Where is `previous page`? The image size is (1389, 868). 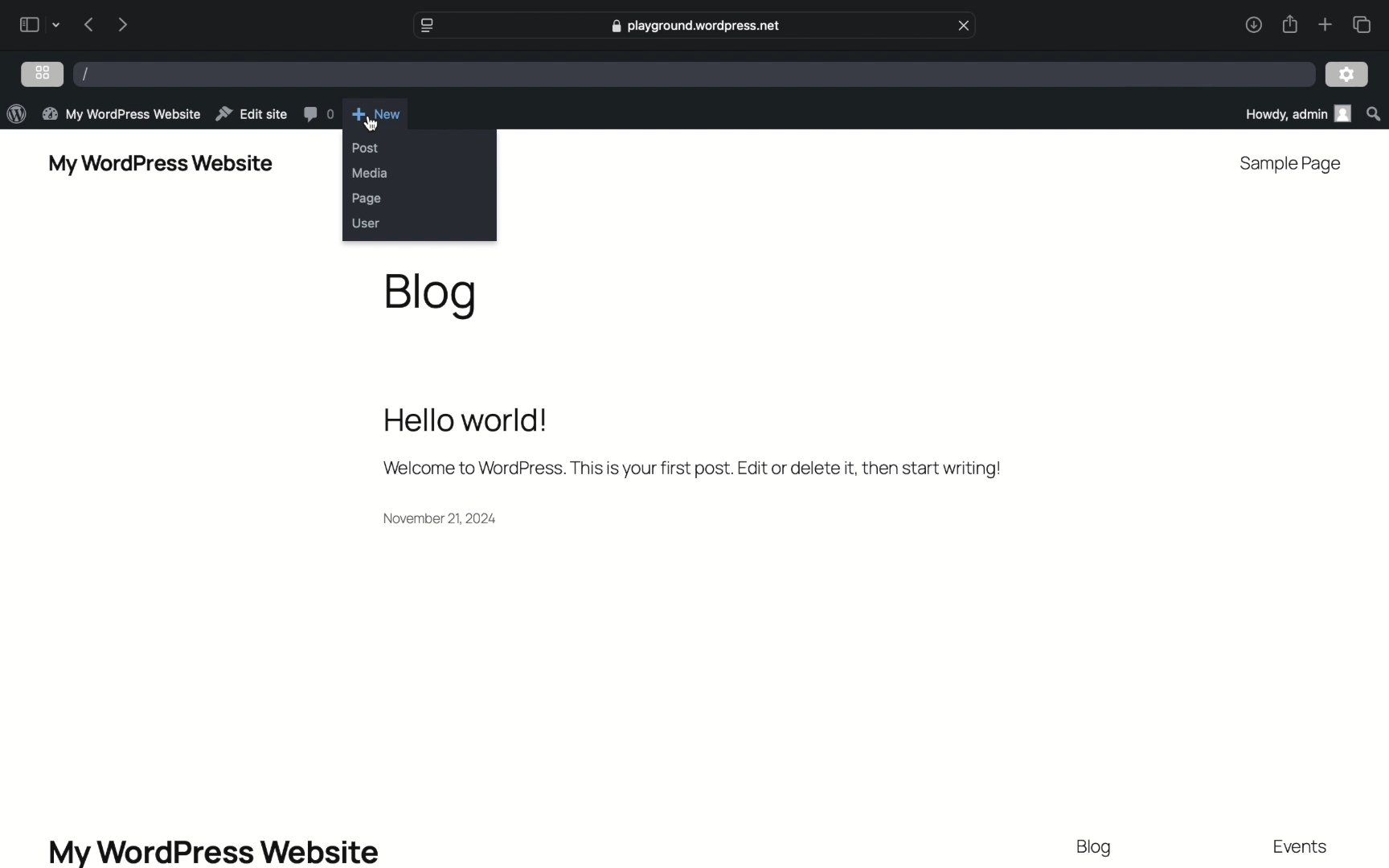 previous page is located at coordinates (89, 26).